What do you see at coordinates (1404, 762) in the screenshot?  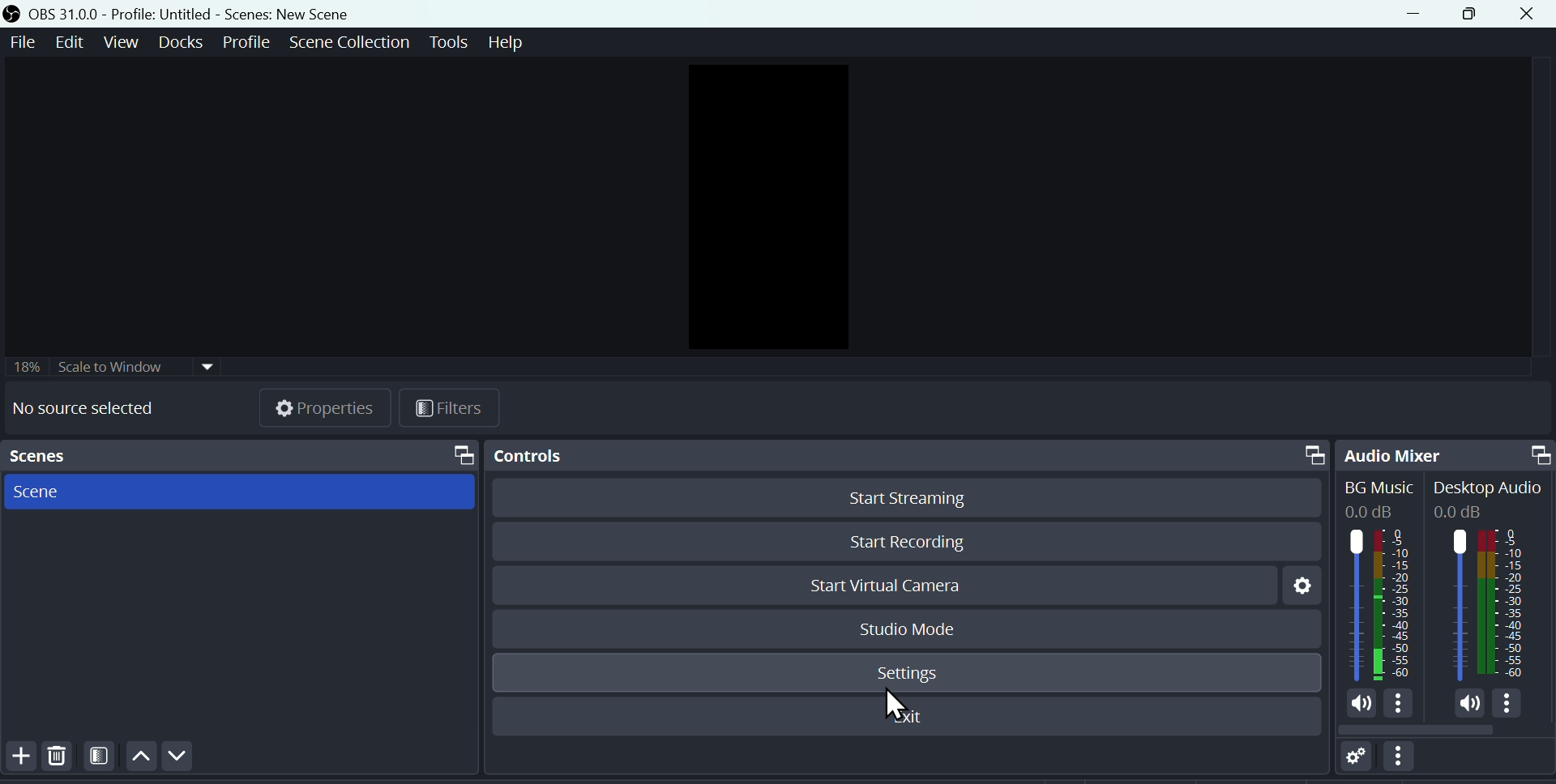 I see `More options` at bounding box center [1404, 762].